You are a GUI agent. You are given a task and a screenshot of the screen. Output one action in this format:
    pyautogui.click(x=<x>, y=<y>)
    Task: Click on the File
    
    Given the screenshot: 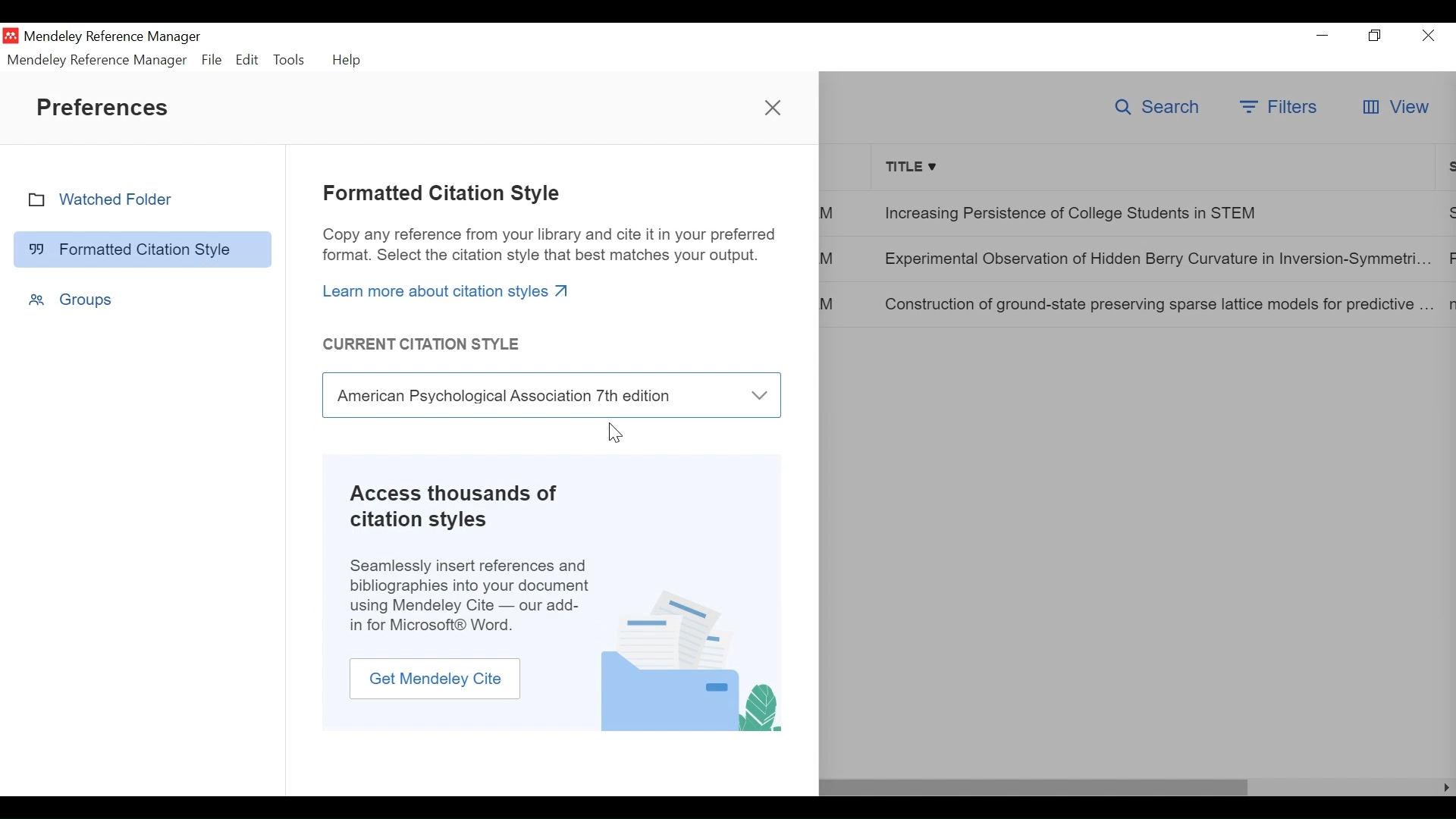 What is the action you would take?
    pyautogui.click(x=211, y=60)
    